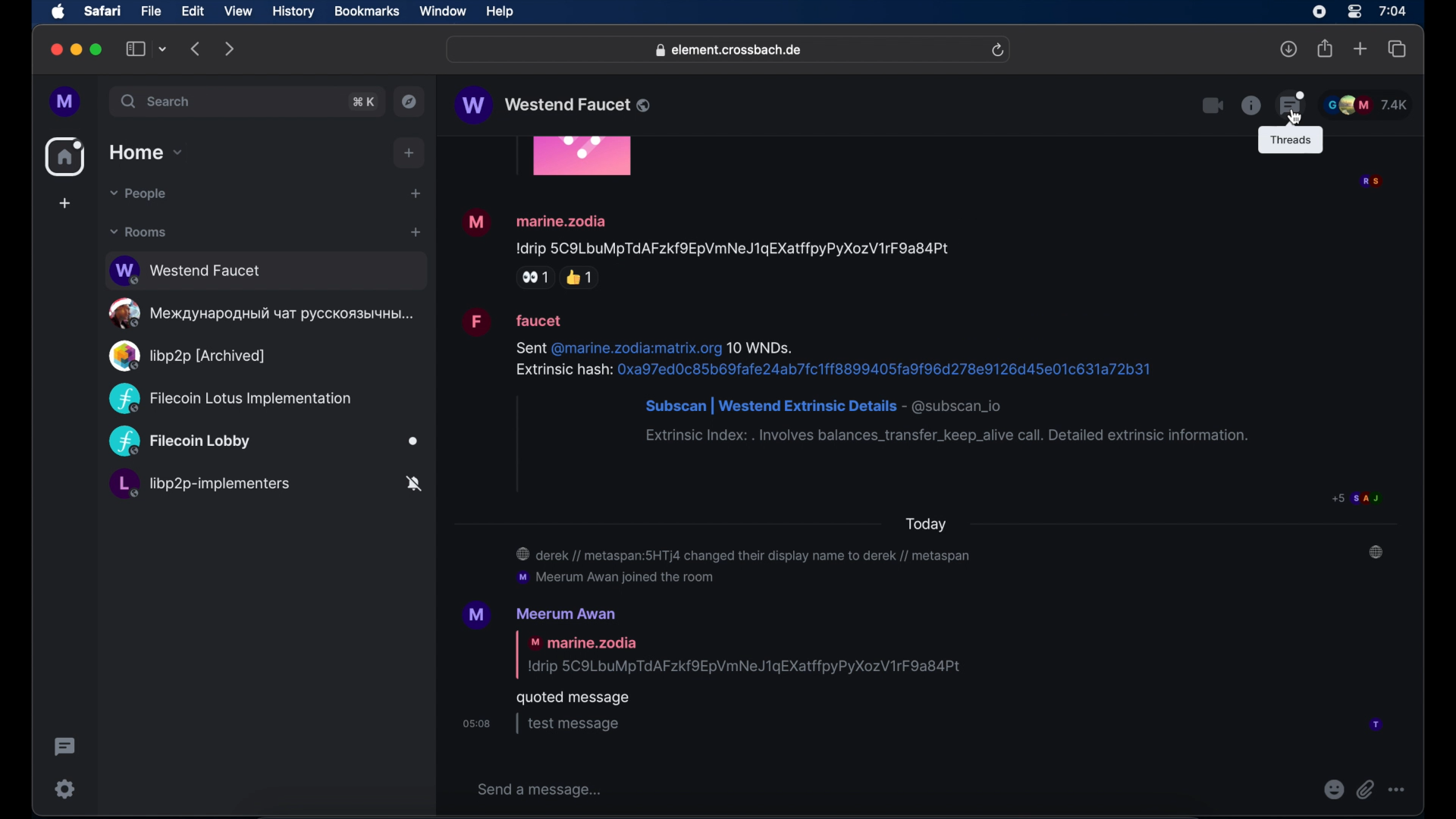 Image resolution: width=1456 pixels, height=819 pixels. What do you see at coordinates (416, 194) in the screenshot?
I see `start chat` at bounding box center [416, 194].